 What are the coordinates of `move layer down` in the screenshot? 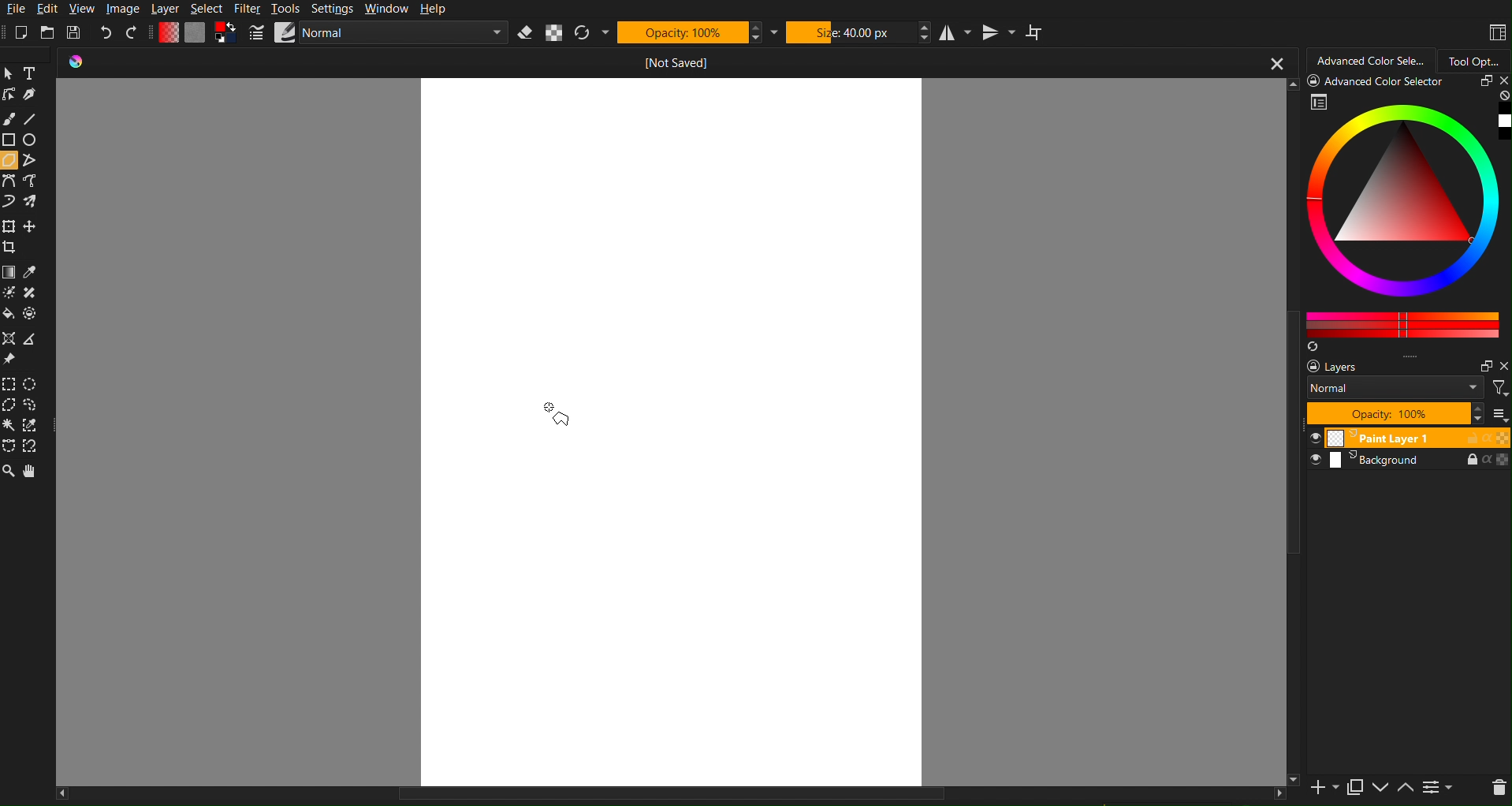 It's located at (1380, 788).